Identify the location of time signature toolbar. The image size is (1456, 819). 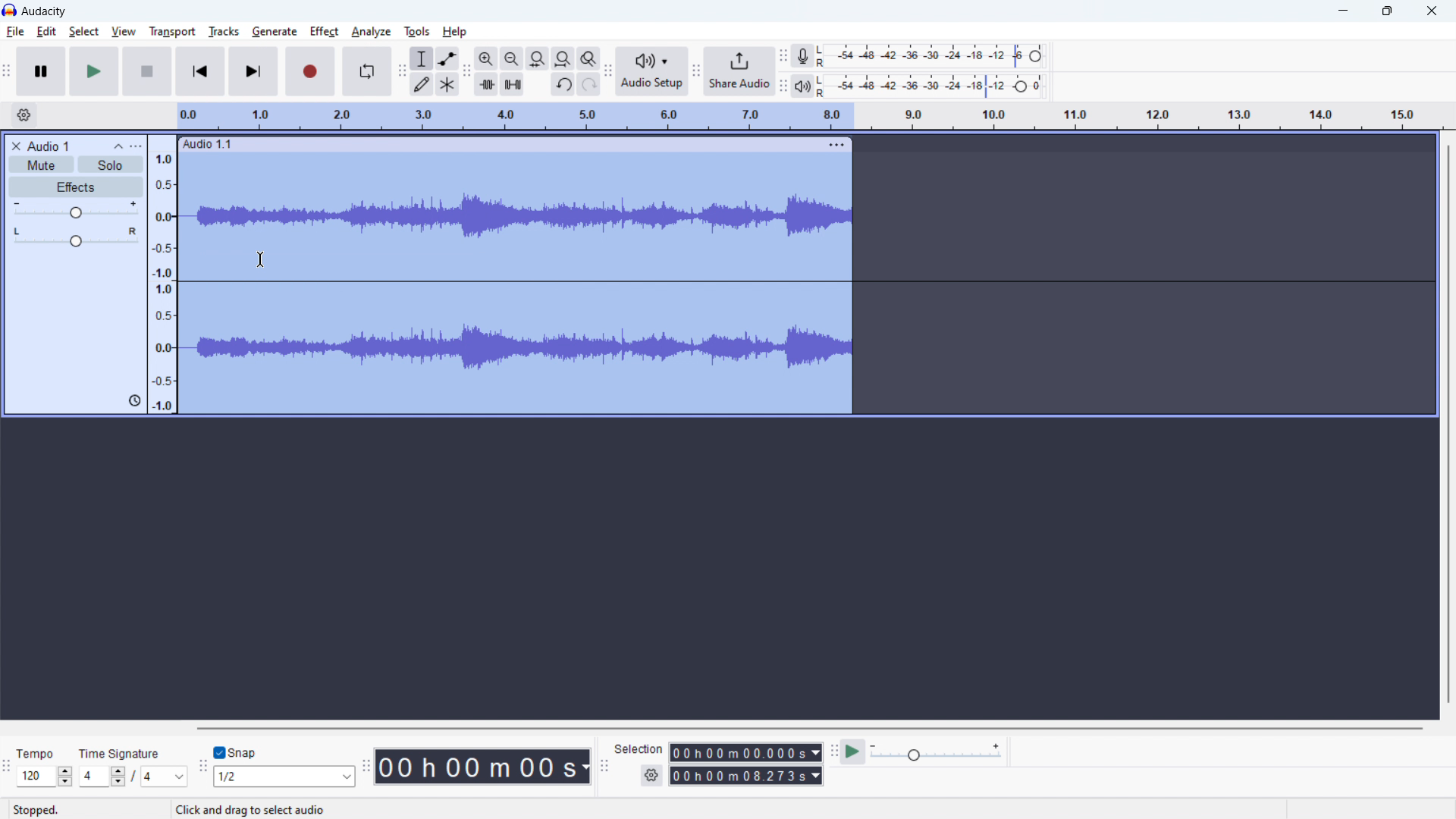
(7, 767).